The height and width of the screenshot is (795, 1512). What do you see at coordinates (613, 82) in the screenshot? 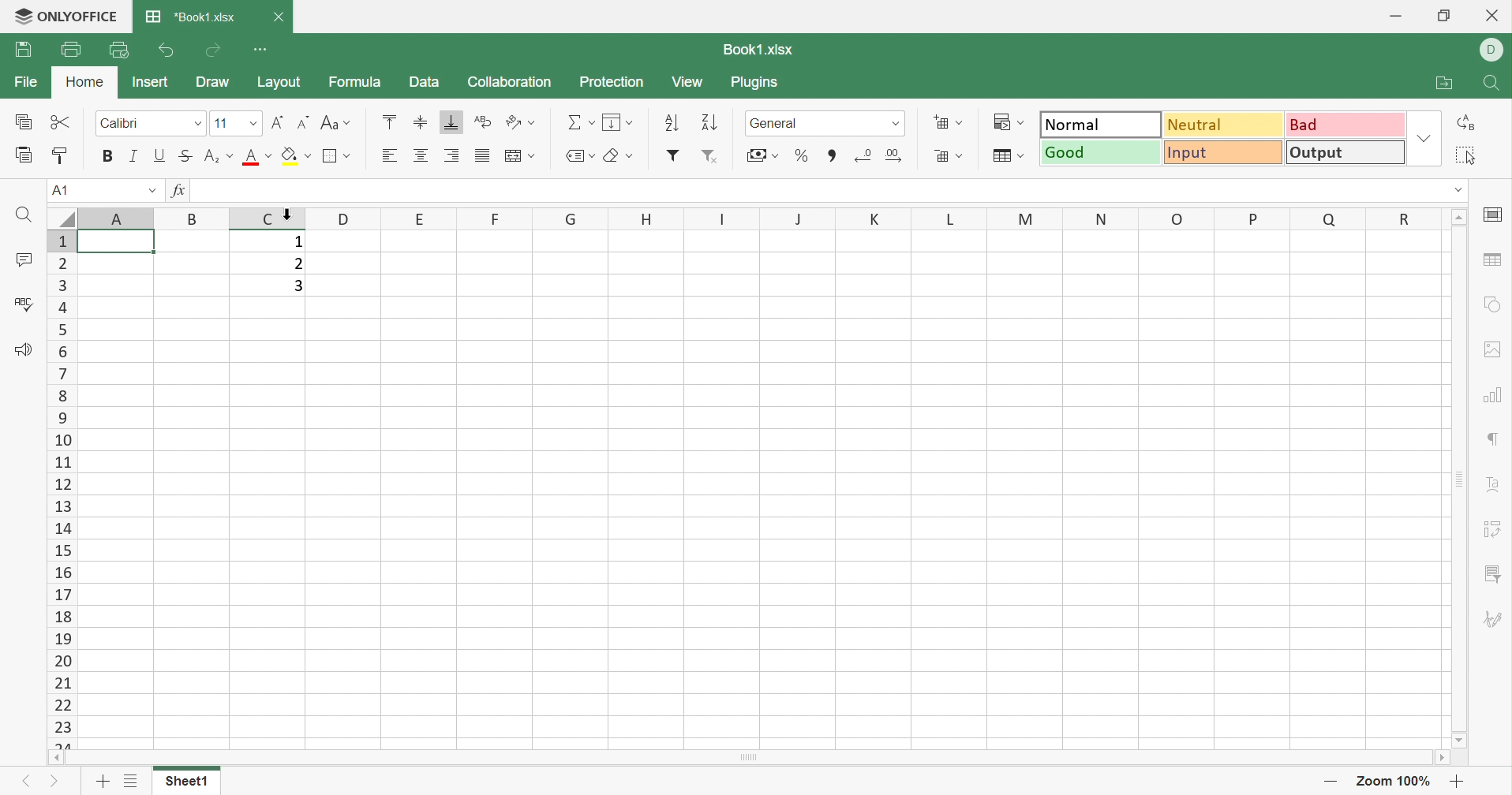
I see `Protection` at bounding box center [613, 82].